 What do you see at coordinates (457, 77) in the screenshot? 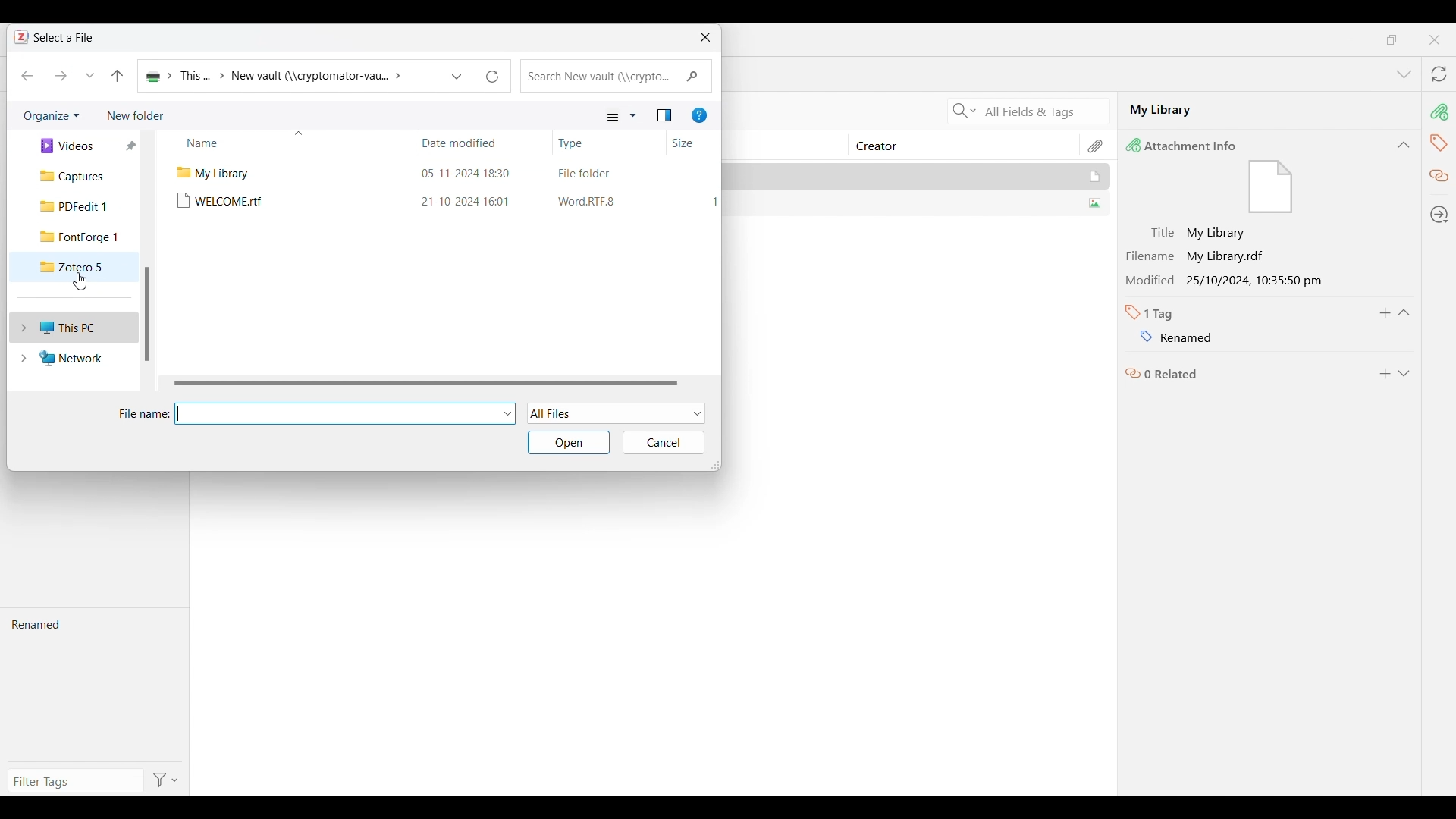
I see `Previous locations` at bounding box center [457, 77].